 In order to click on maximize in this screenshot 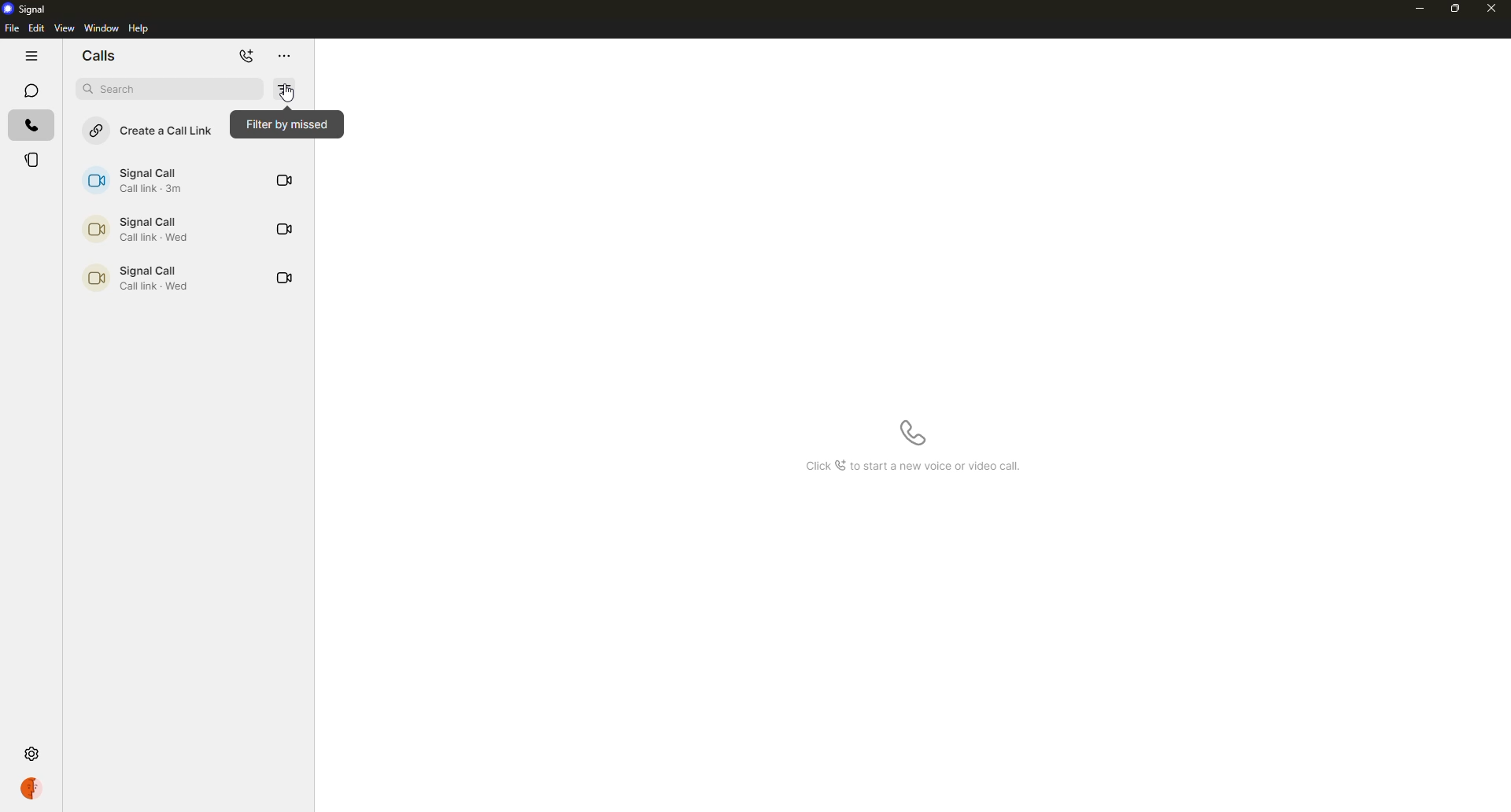, I will do `click(1456, 9)`.